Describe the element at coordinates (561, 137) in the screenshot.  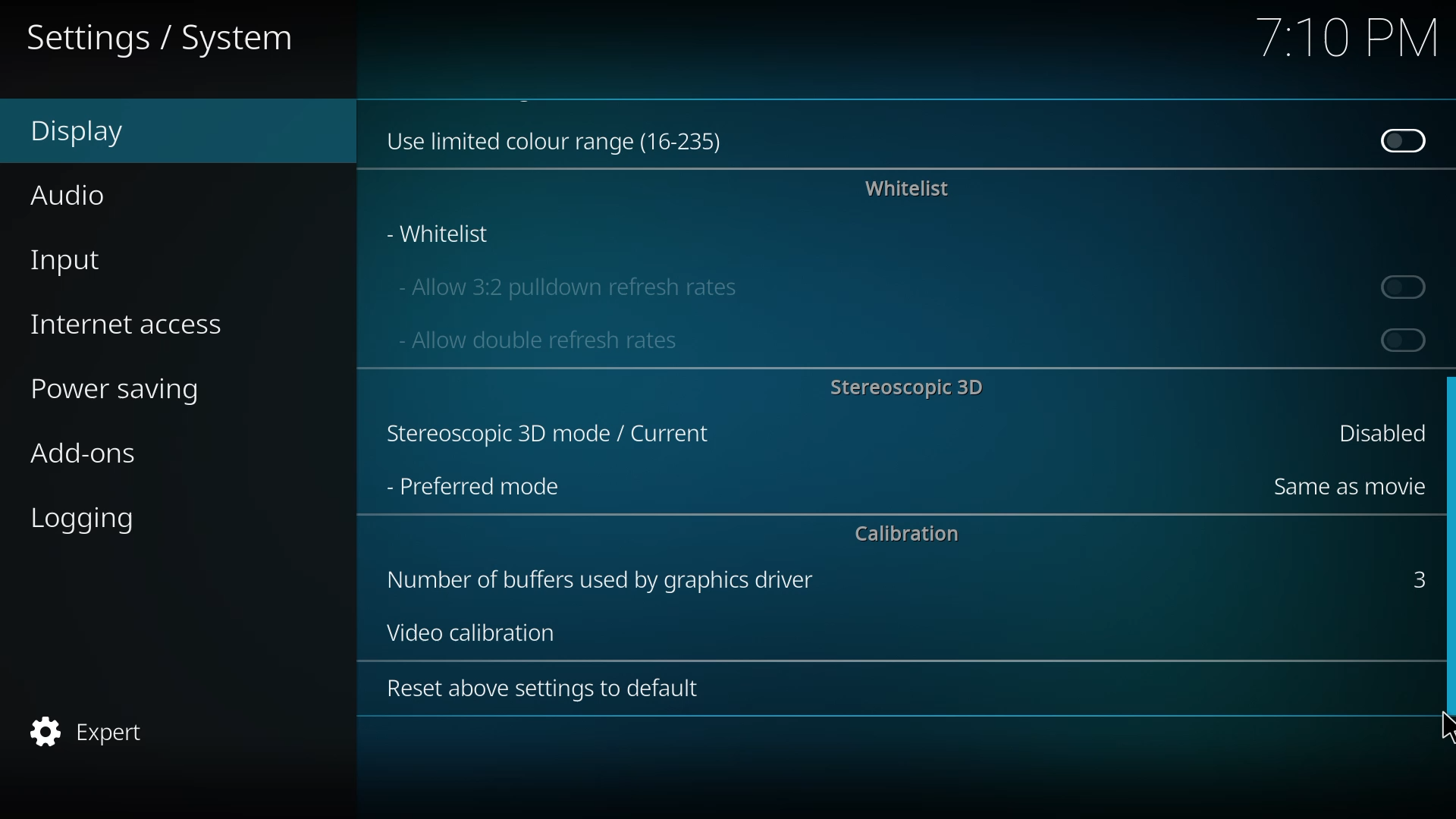
I see `use limited color range` at that location.